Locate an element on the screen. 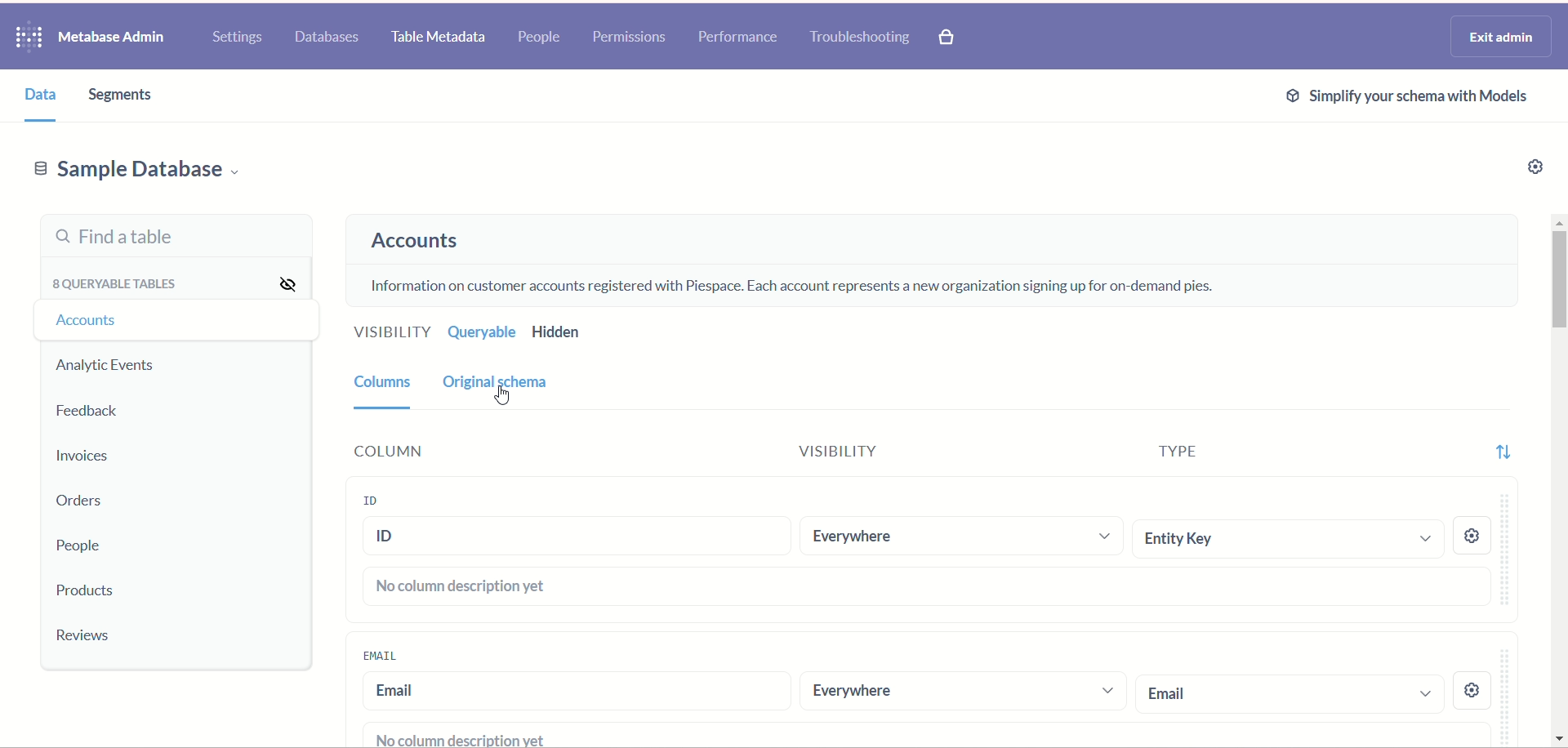 The width and height of the screenshot is (1568, 748). original schema is located at coordinates (514, 385).